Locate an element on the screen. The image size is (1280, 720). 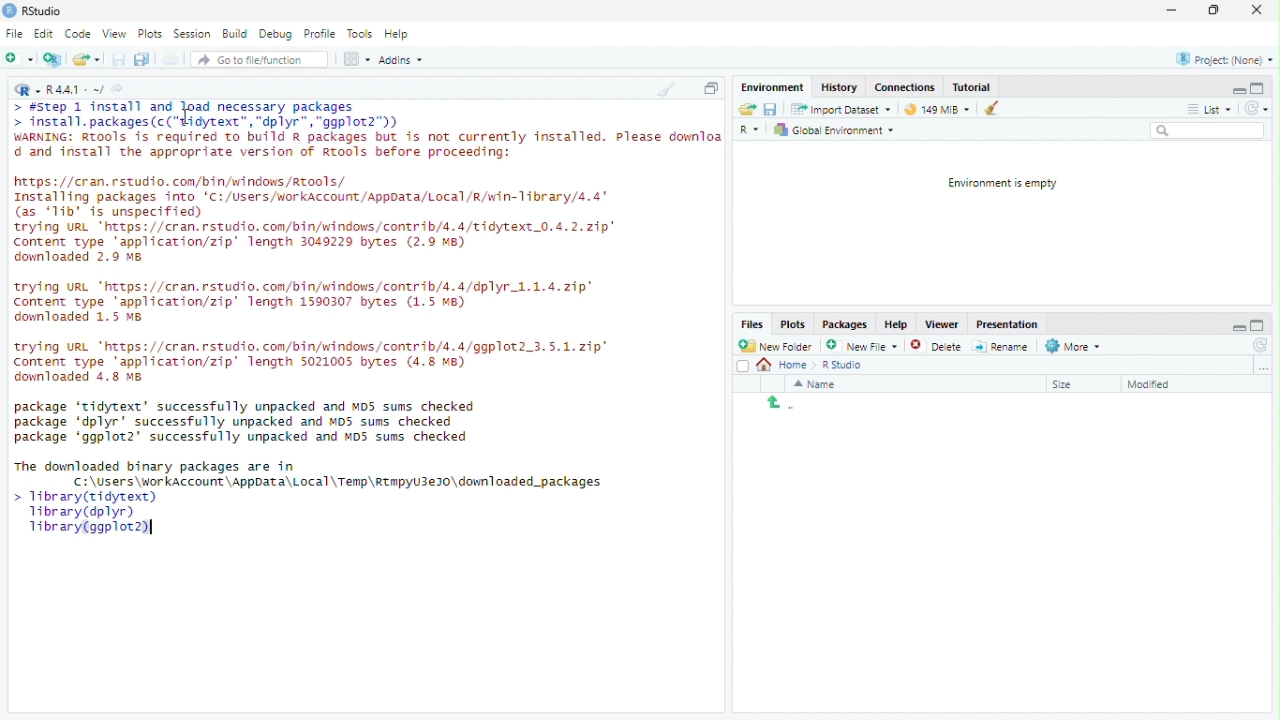
Name is located at coordinates (817, 384).